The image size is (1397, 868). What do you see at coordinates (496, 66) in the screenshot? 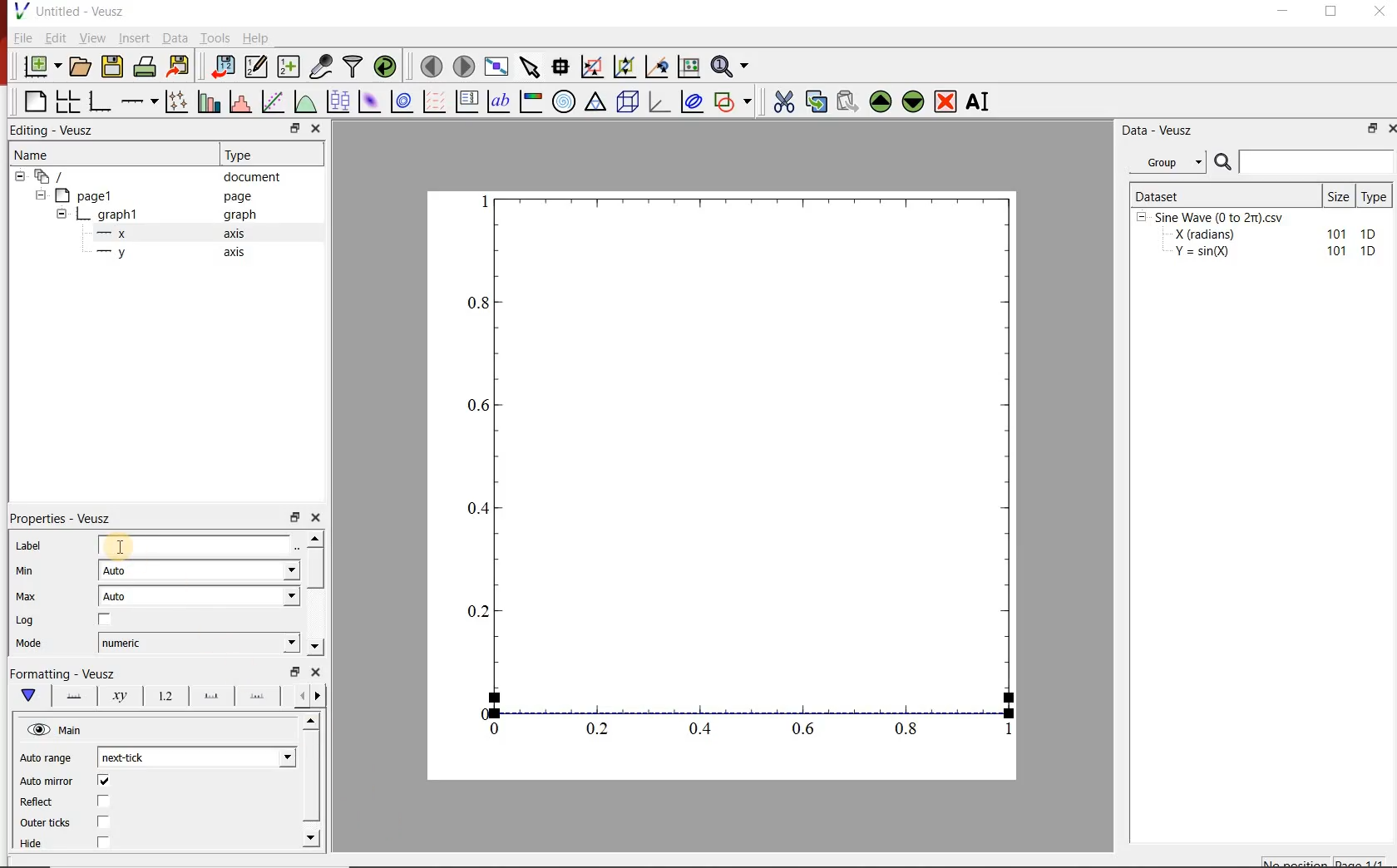
I see `view plot full screen` at bounding box center [496, 66].